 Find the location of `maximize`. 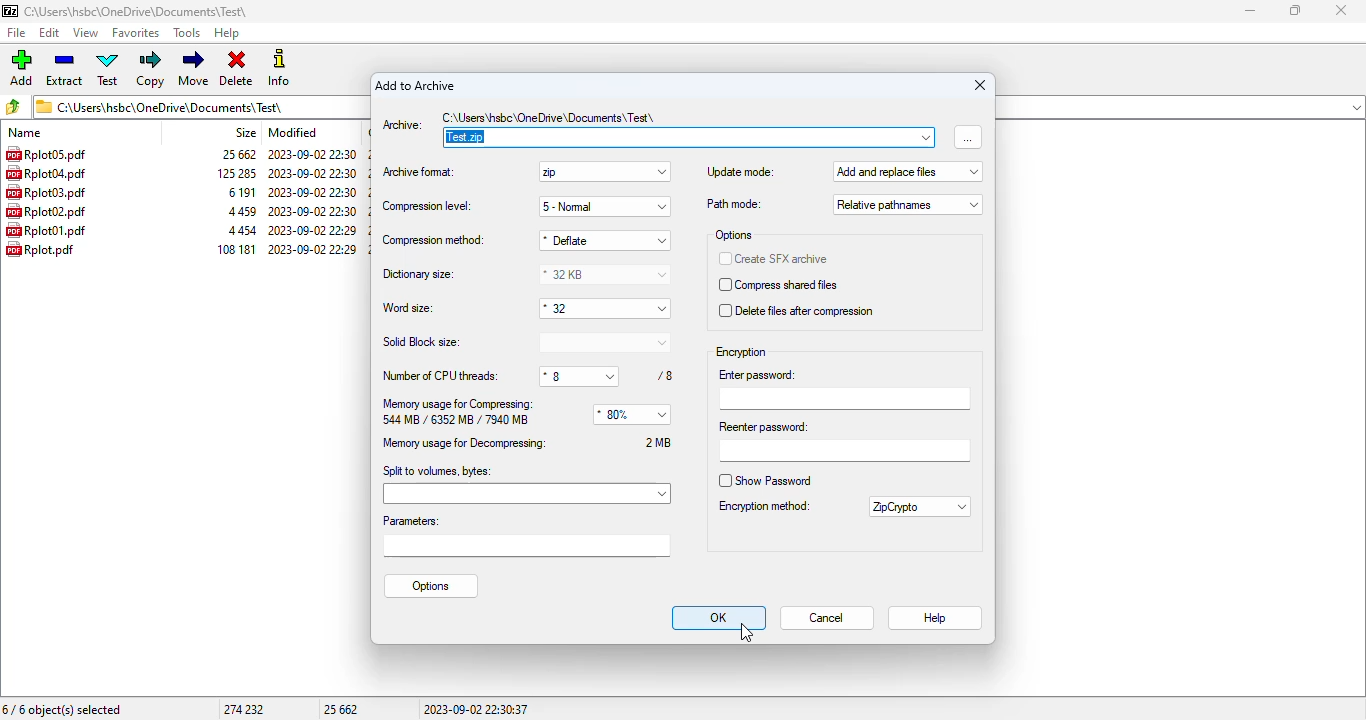

maximize is located at coordinates (1293, 10).